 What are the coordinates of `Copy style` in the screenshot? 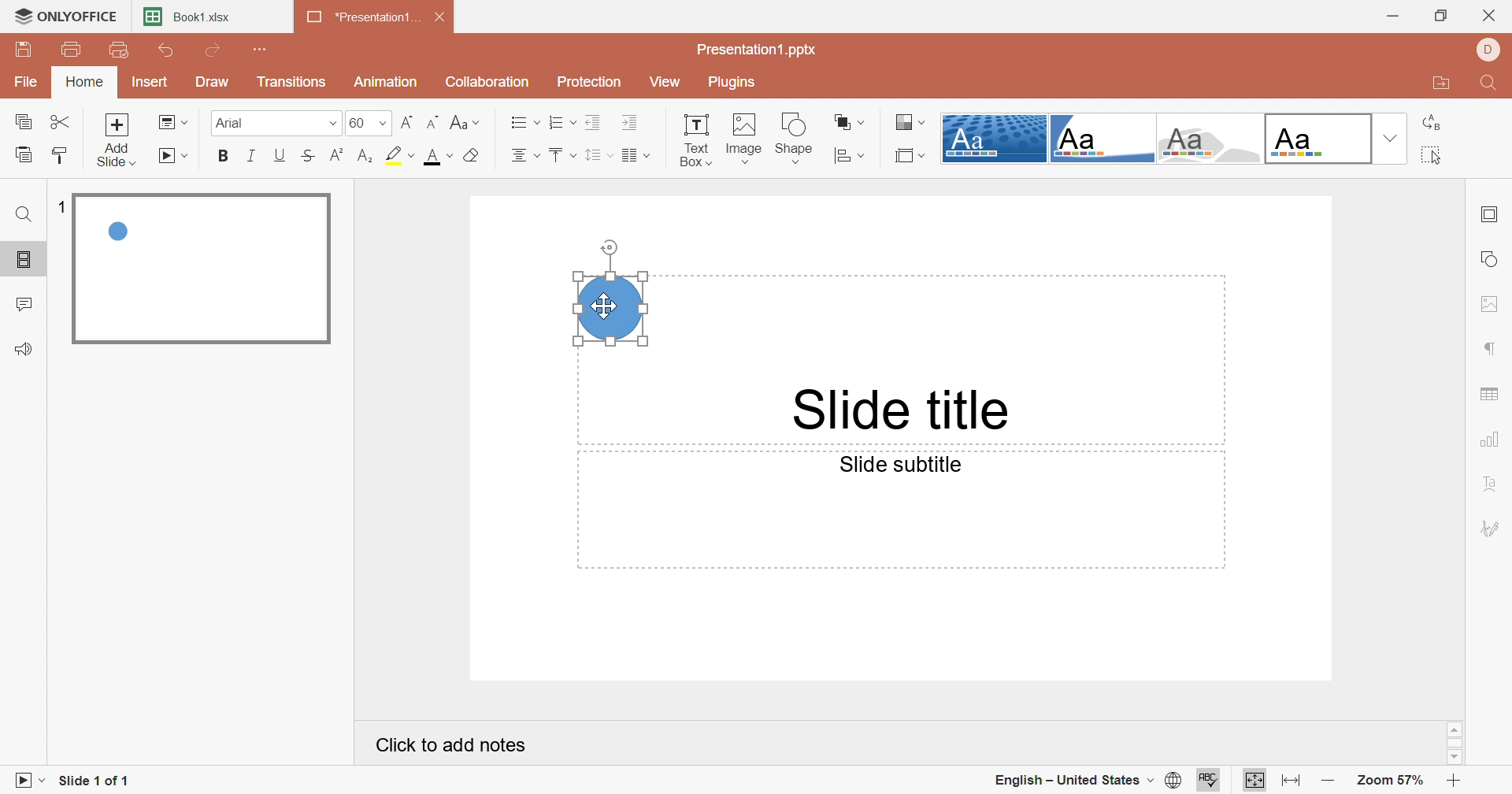 It's located at (60, 154).